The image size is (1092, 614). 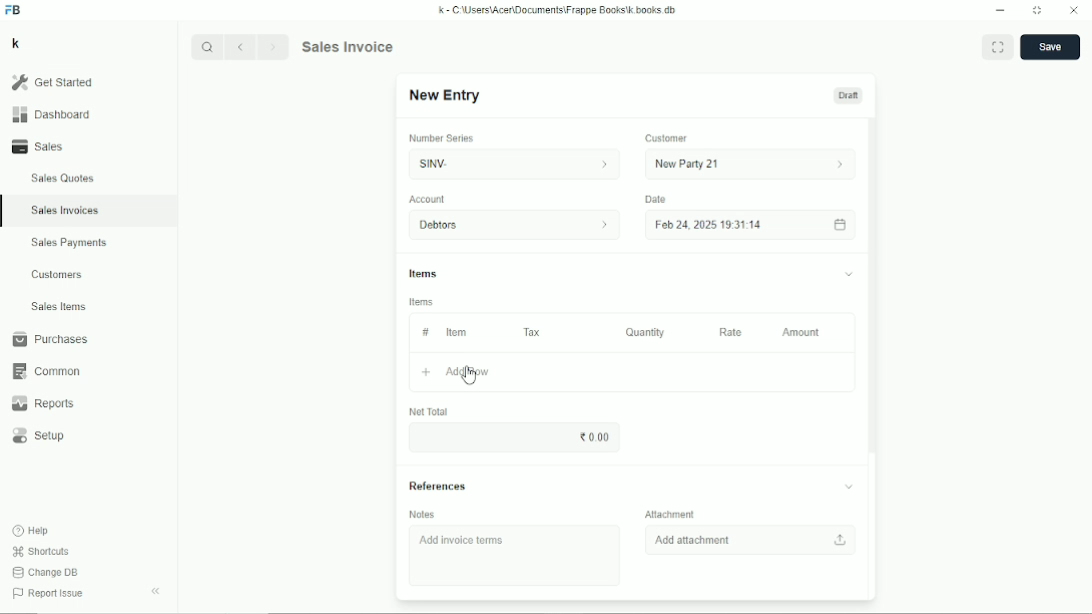 I want to click on Rate, so click(x=730, y=332).